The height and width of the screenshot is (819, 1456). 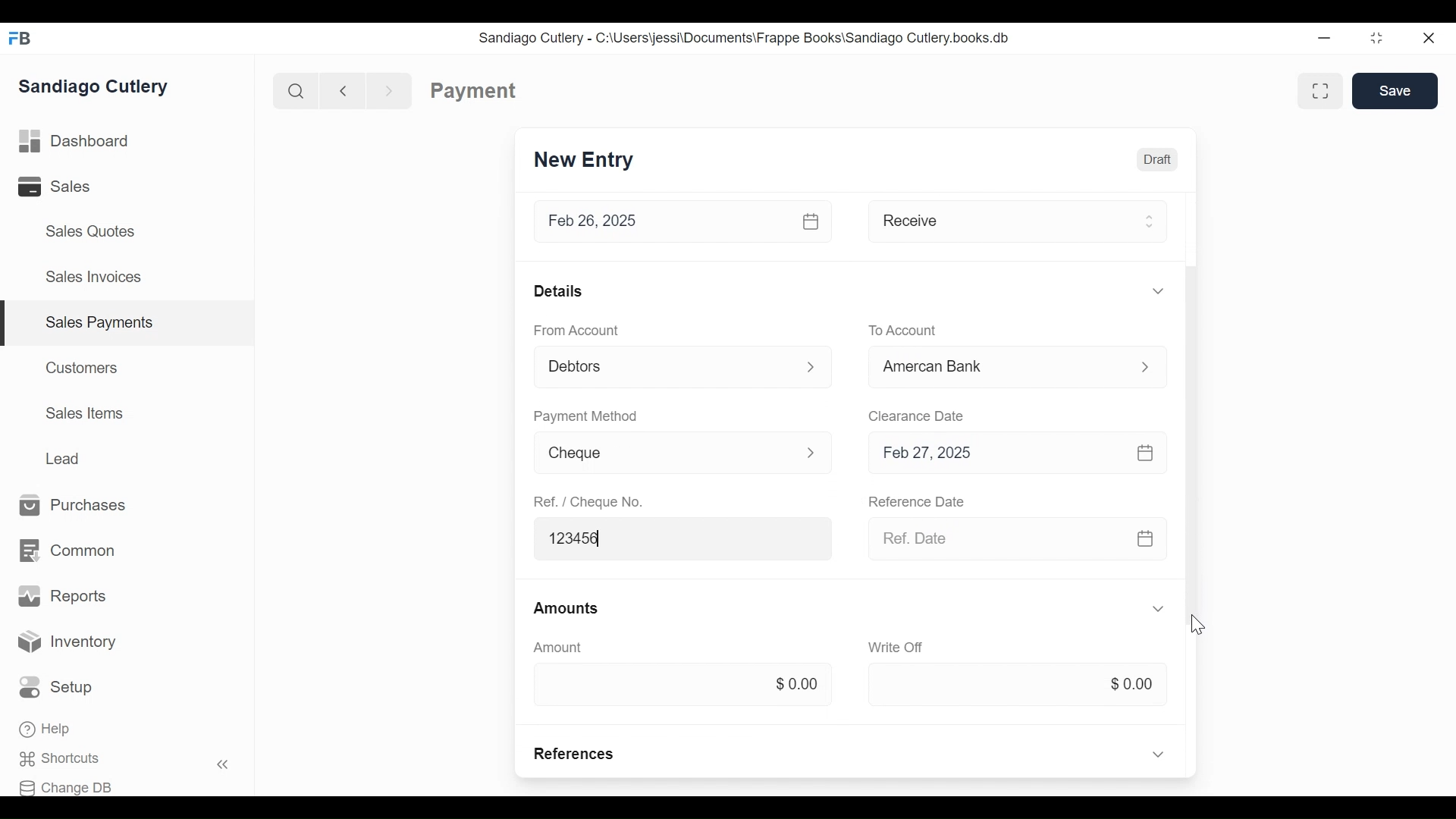 I want to click on Calendar, so click(x=1147, y=539).